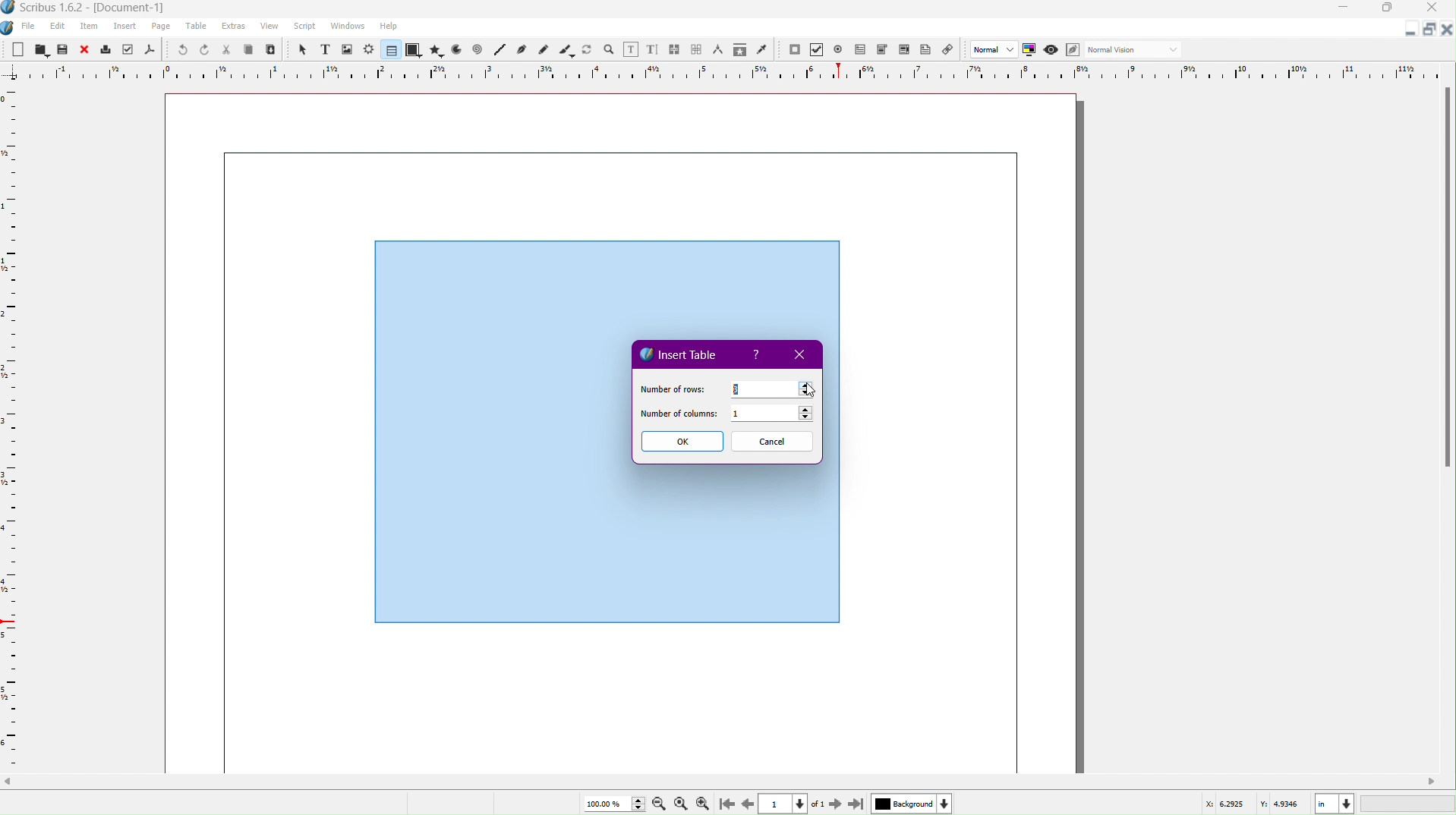  I want to click on Maximize, so click(1428, 30).